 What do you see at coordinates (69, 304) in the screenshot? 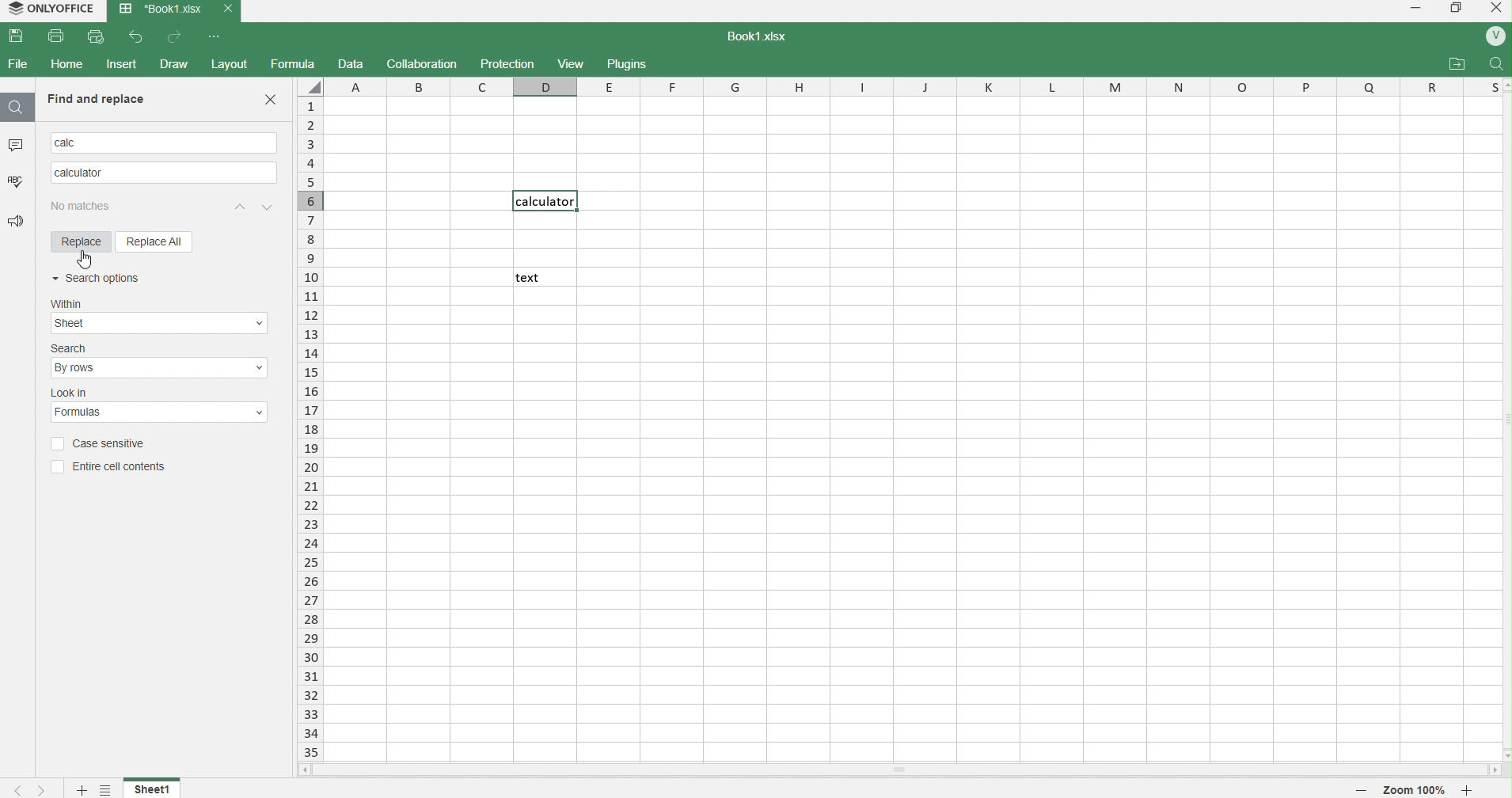
I see `within` at bounding box center [69, 304].